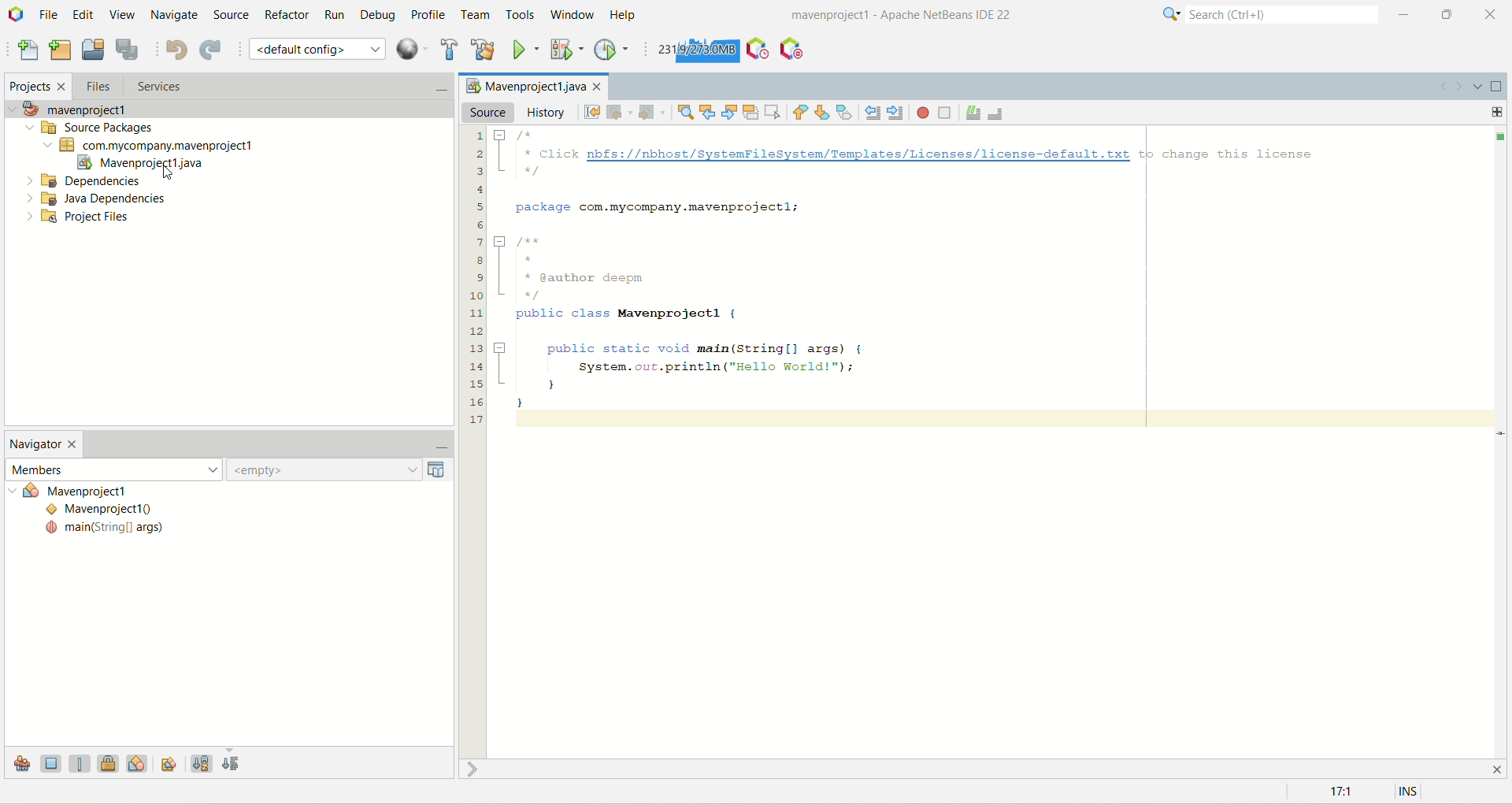 The width and height of the screenshot is (1512, 805). Describe the element at coordinates (873, 113) in the screenshot. I see `shift line left` at that location.